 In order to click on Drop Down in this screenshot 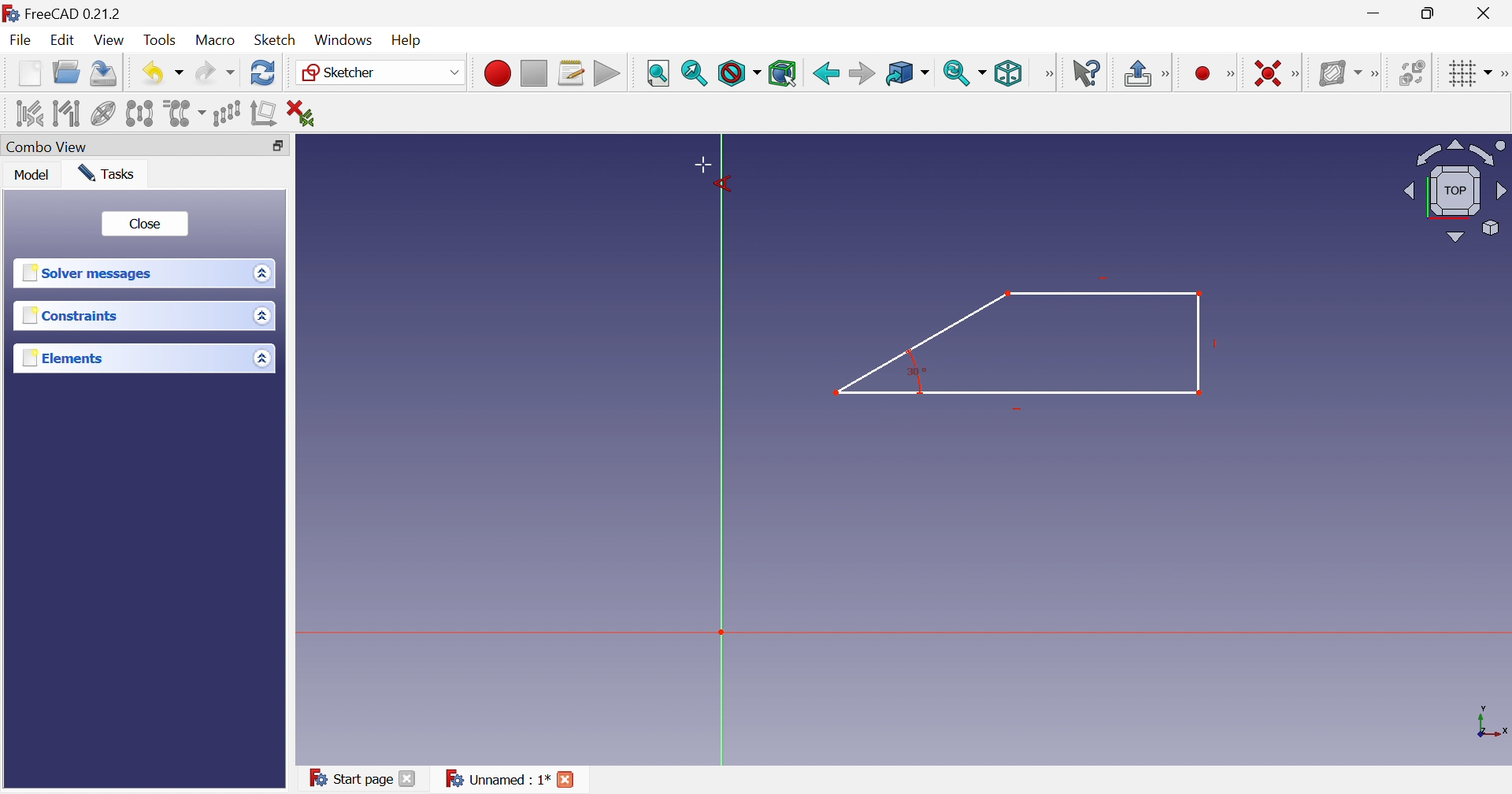, I will do `click(928, 73)`.